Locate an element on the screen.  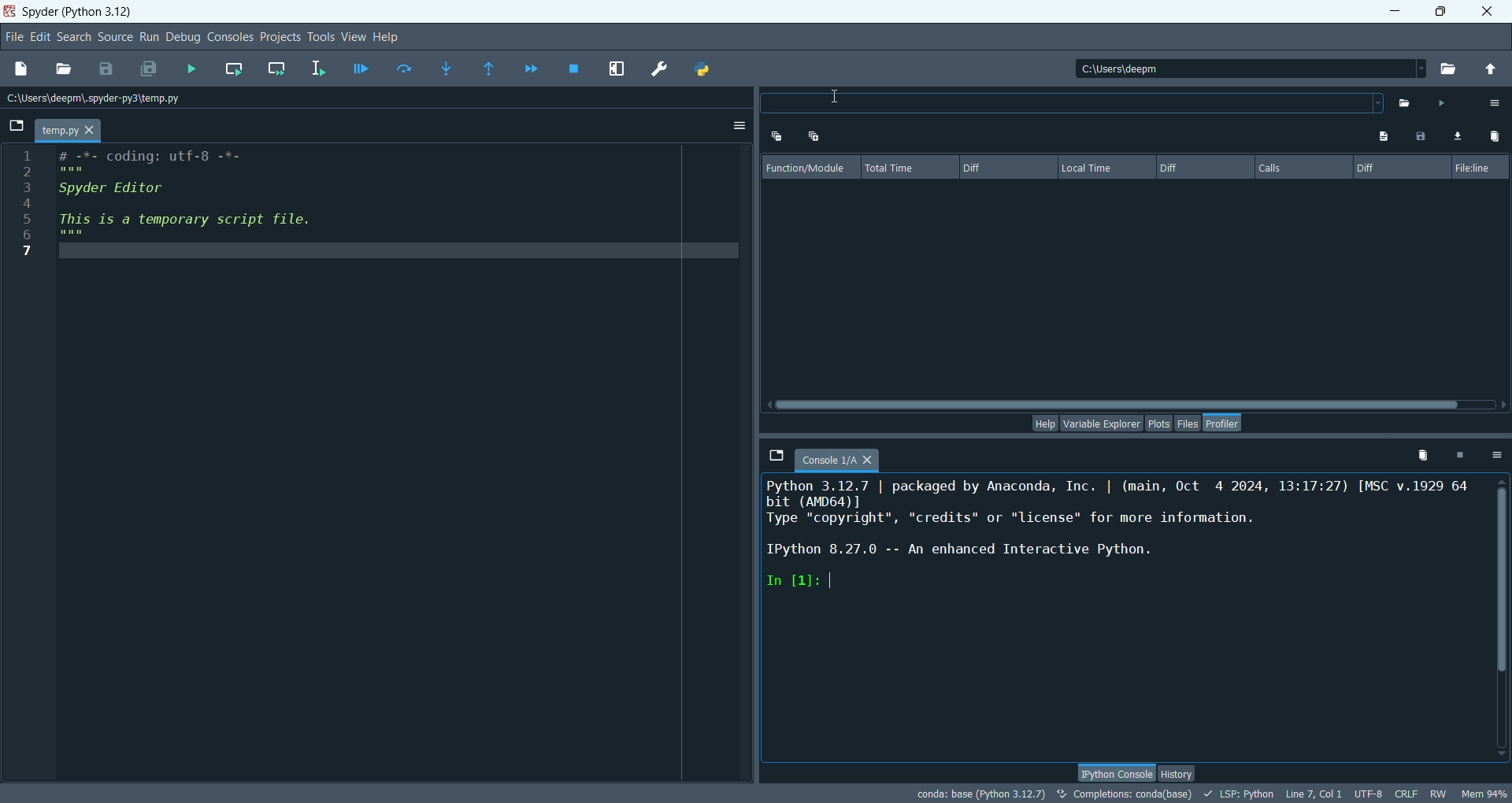
option is located at coordinates (738, 126).